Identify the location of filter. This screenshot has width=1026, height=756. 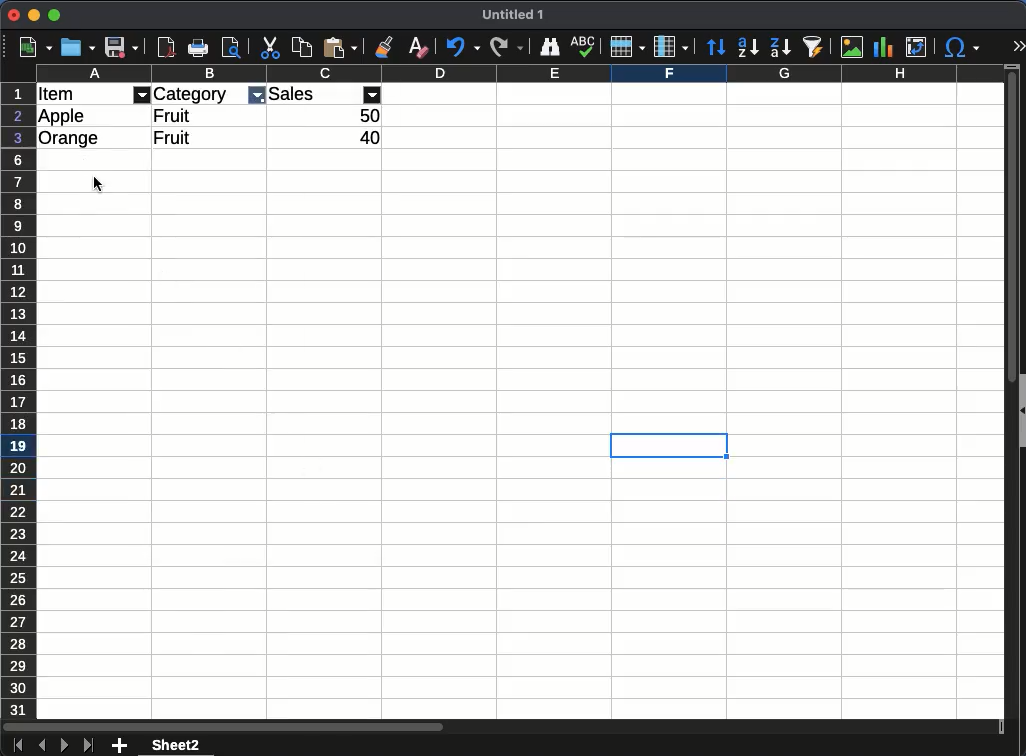
(256, 96).